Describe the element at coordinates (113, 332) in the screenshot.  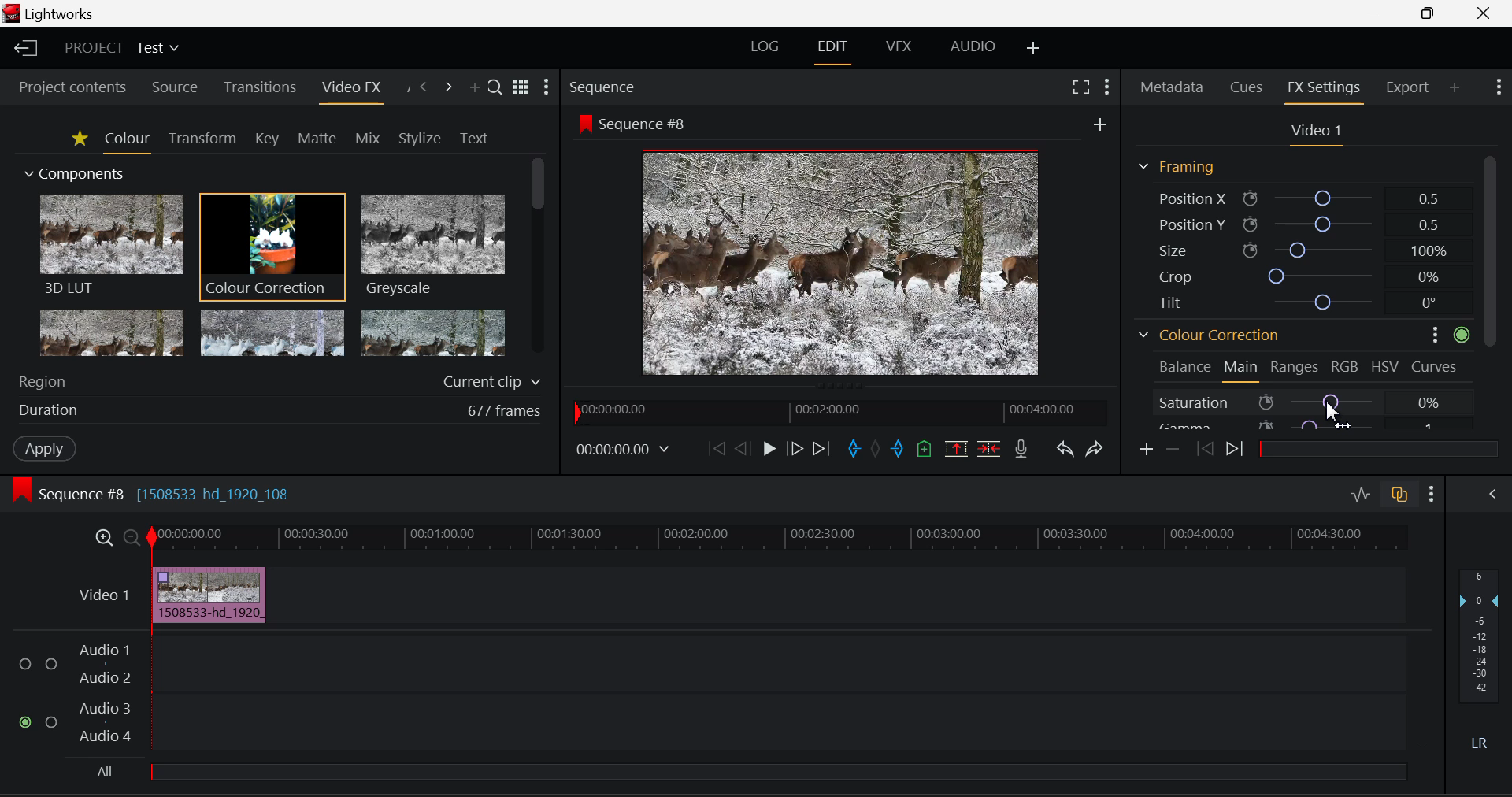
I see `Glow` at that location.